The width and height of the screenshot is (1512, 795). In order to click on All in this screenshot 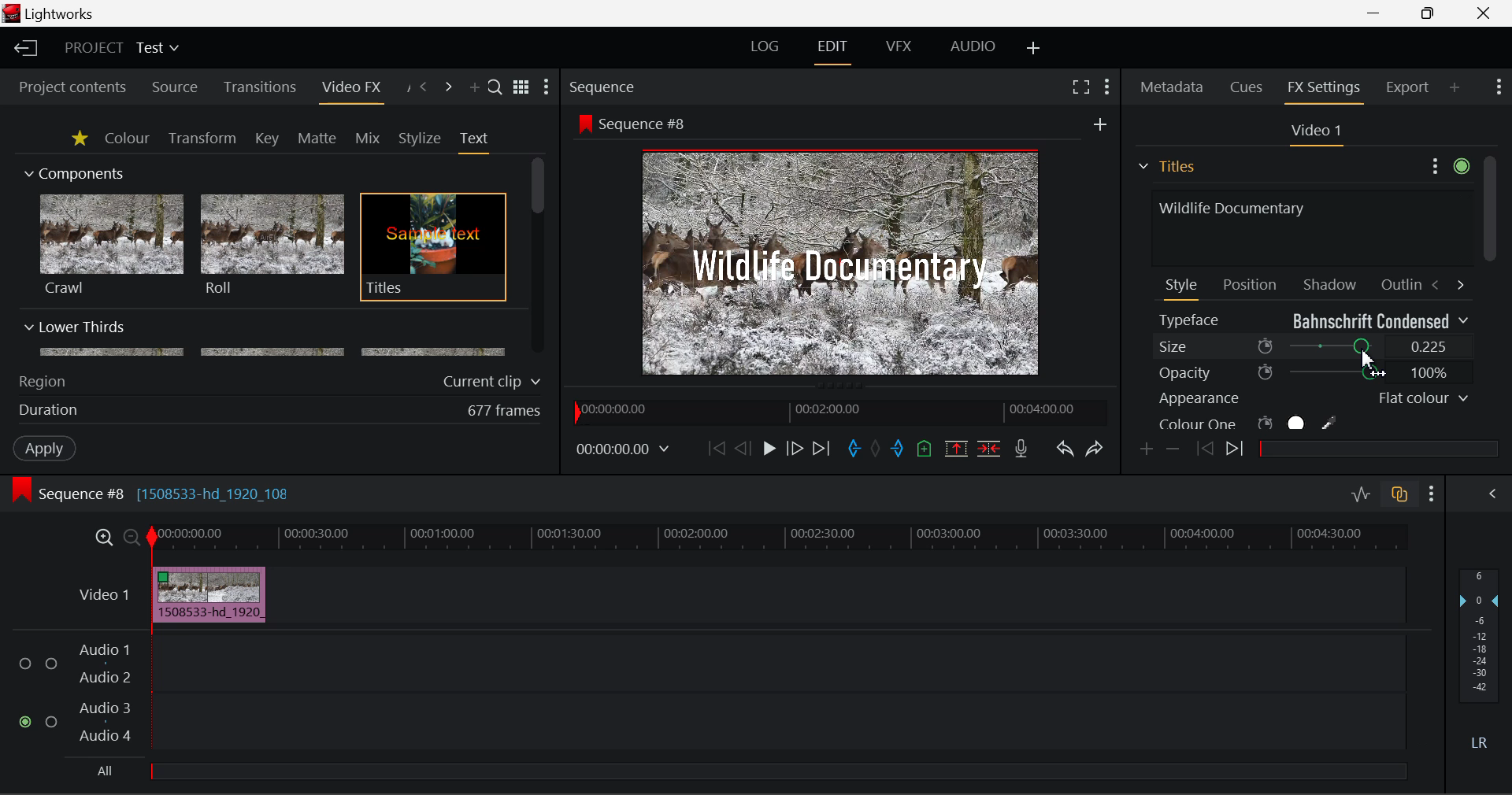, I will do `click(106, 771)`.